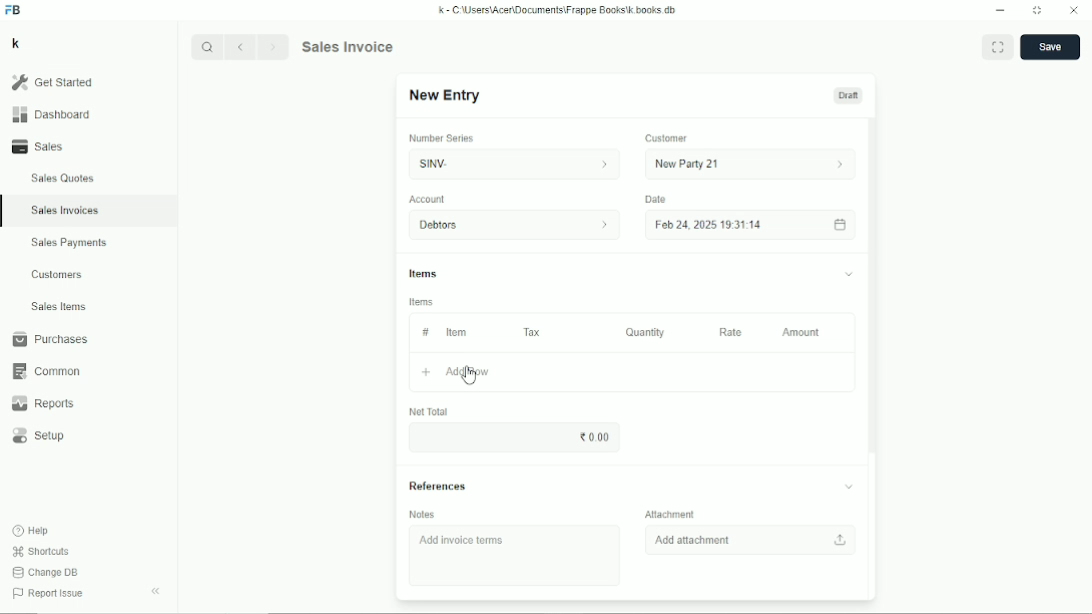  I want to click on Account, so click(428, 199).